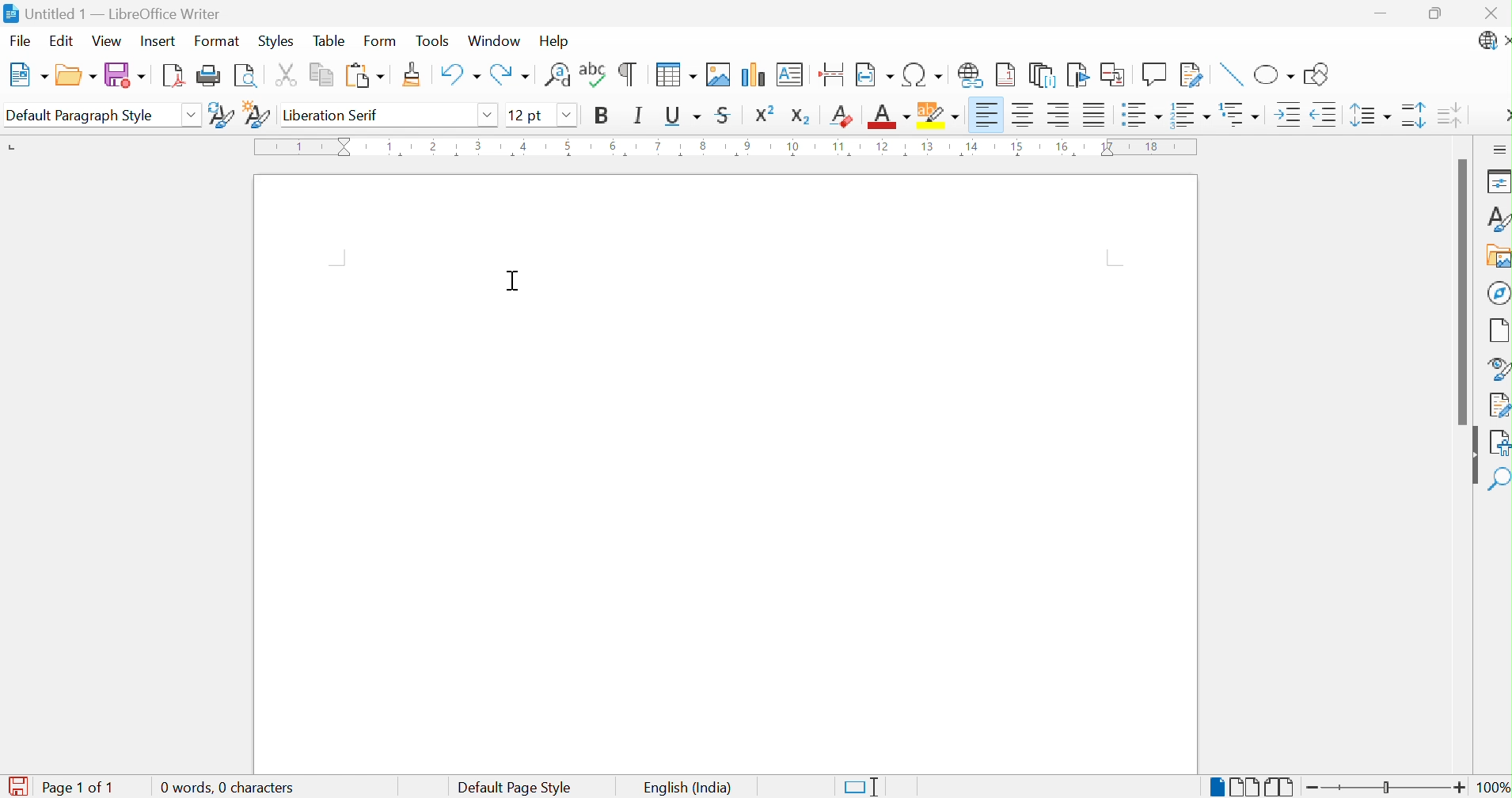 The image size is (1512, 798). Describe the element at coordinates (602, 113) in the screenshot. I see `Bold` at that location.